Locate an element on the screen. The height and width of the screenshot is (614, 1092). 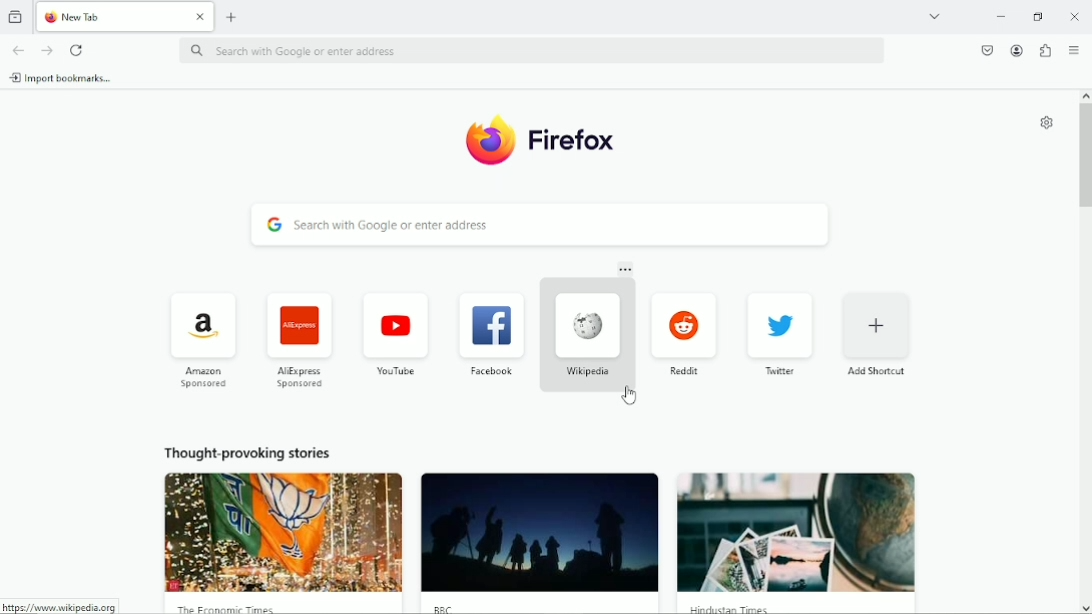
Search with google or enter address is located at coordinates (542, 225).